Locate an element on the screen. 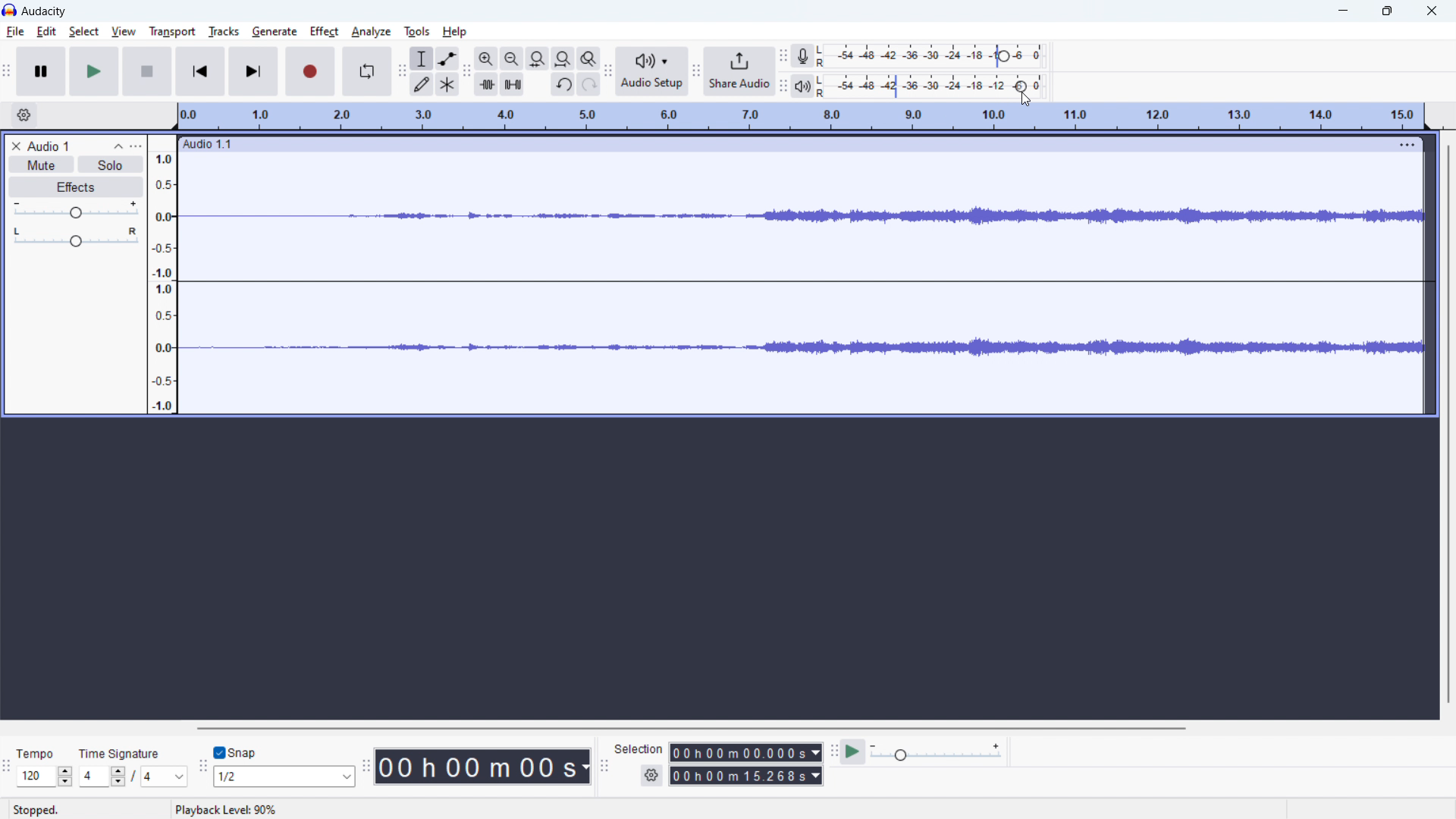 Image resolution: width=1456 pixels, height=819 pixels. silence selection is located at coordinates (511, 83).